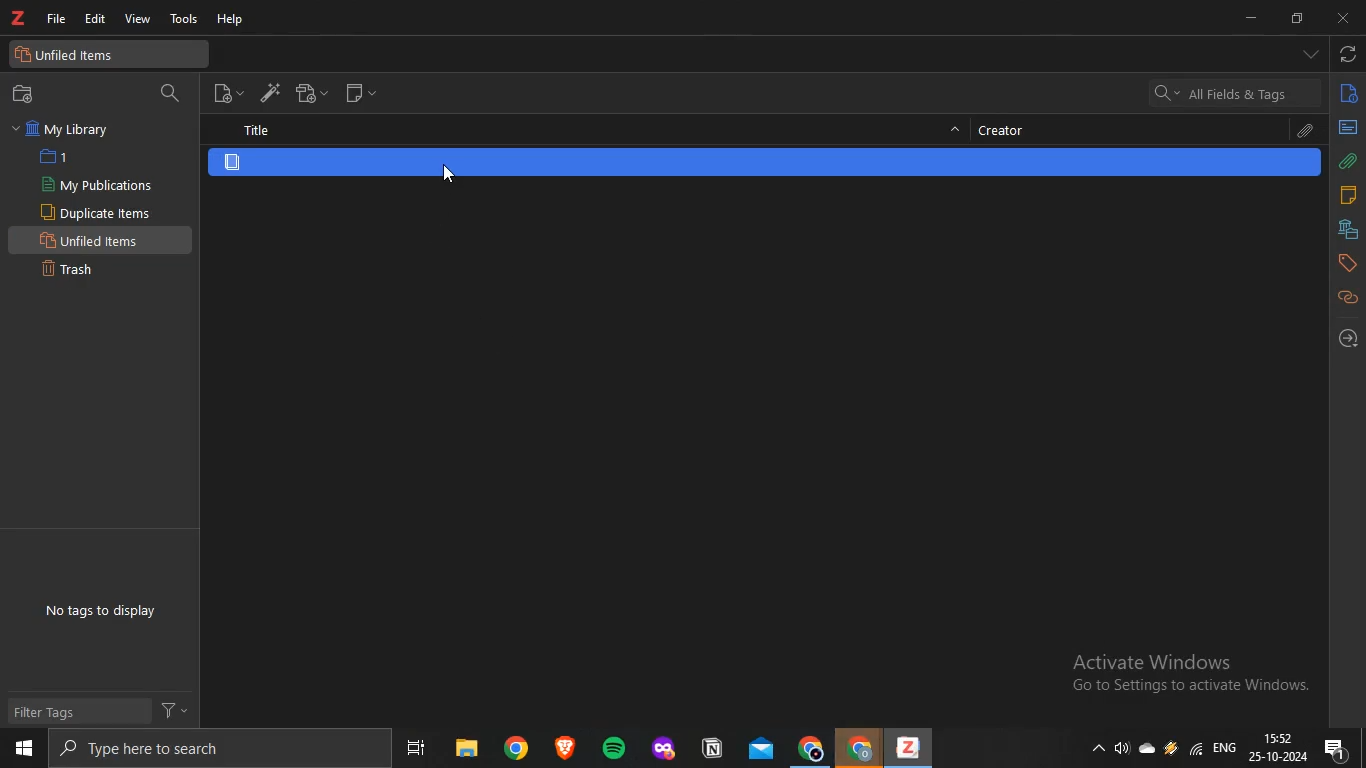 The width and height of the screenshot is (1366, 768). What do you see at coordinates (1009, 129) in the screenshot?
I see `creator` at bounding box center [1009, 129].